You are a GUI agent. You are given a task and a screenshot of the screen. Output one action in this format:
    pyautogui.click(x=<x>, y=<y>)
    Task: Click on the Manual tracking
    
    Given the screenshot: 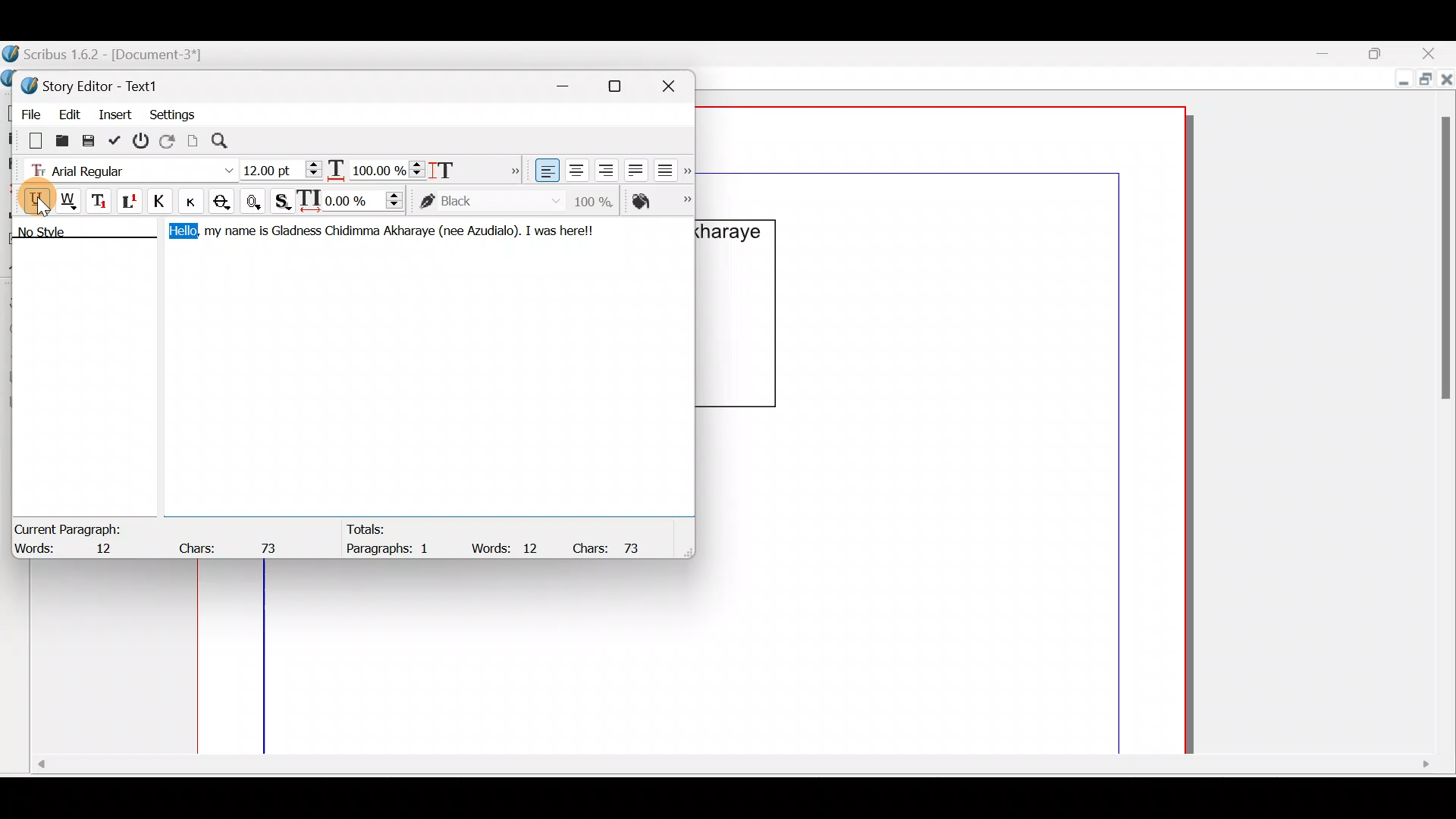 What is the action you would take?
    pyautogui.click(x=354, y=199)
    